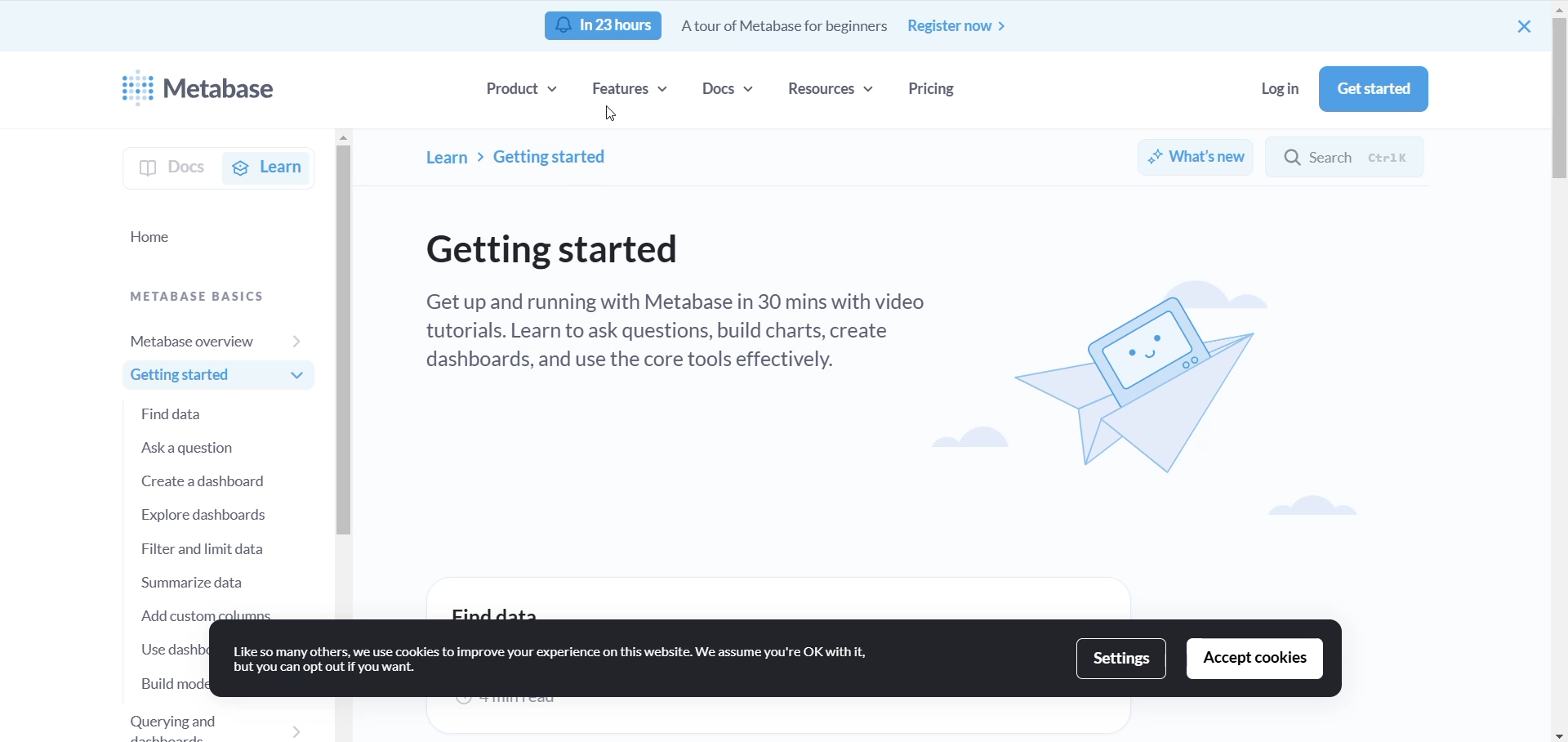 Image resolution: width=1568 pixels, height=742 pixels. Describe the element at coordinates (1356, 155) in the screenshot. I see `search ` at that location.